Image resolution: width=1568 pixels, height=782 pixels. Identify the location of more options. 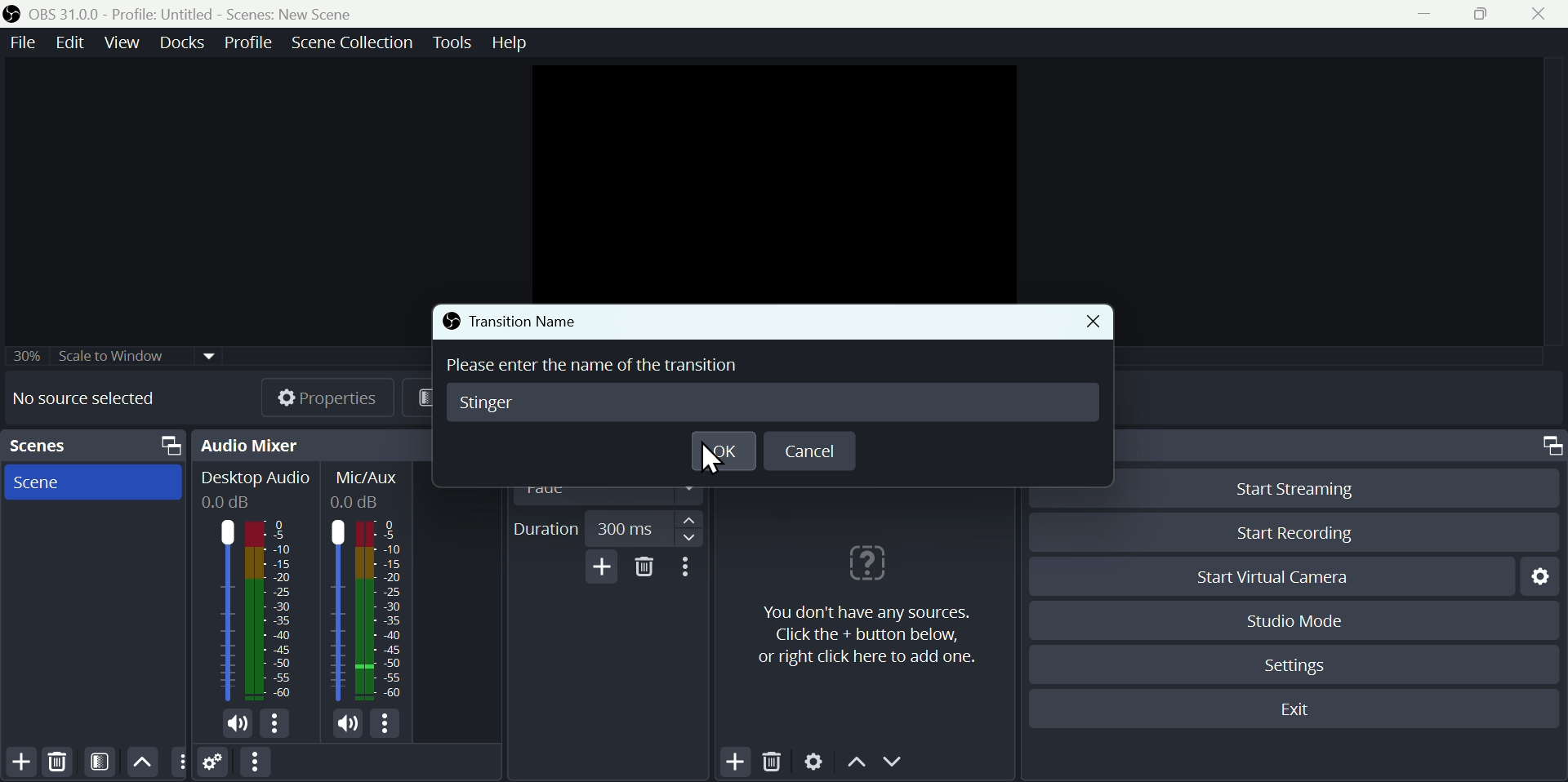
(278, 725).